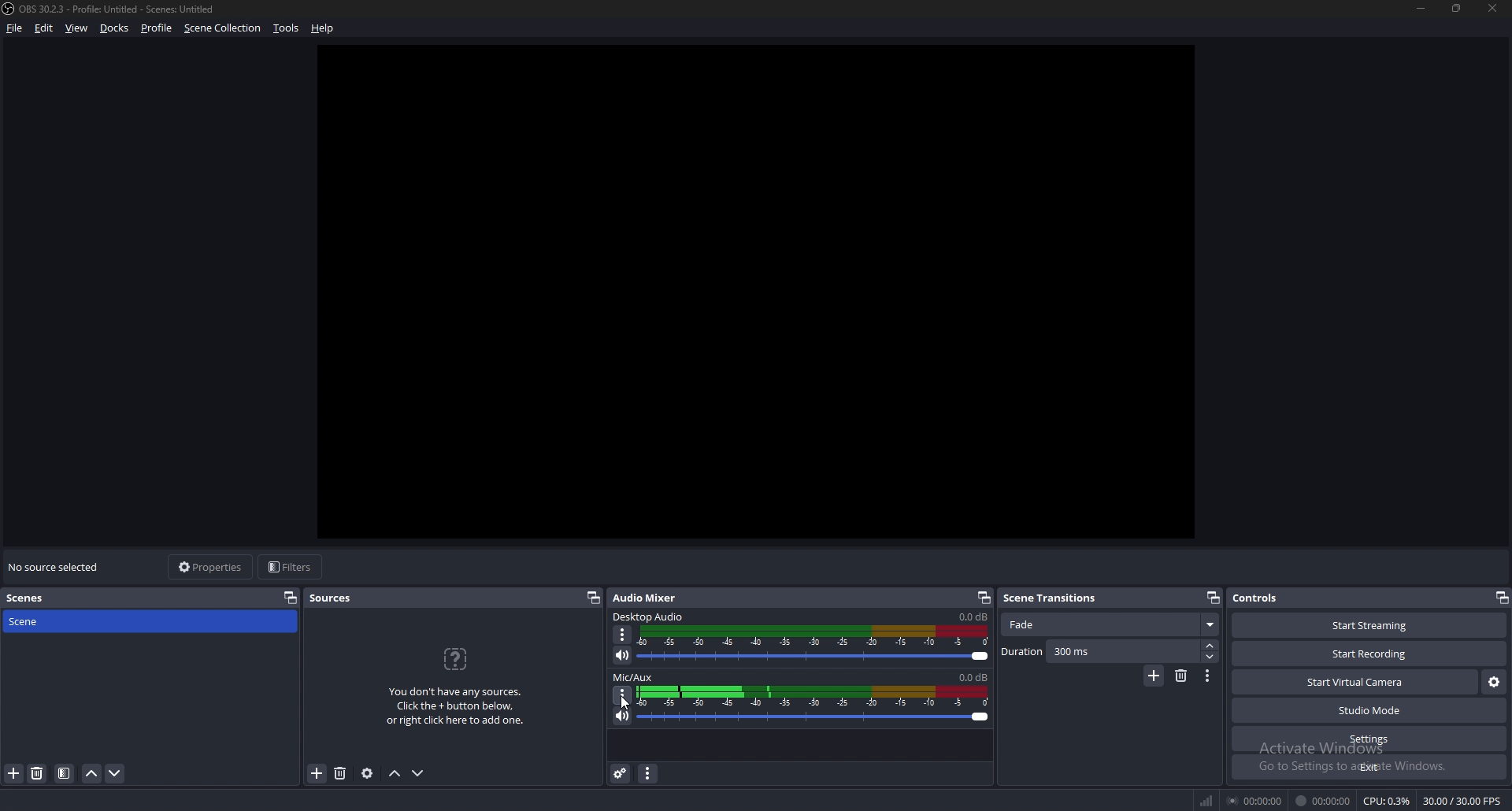 This screenshot has width=1512, height=811. Describe the element at coordinates (624, 634) in the screenshot. I see `desktop audio properties` at that location.